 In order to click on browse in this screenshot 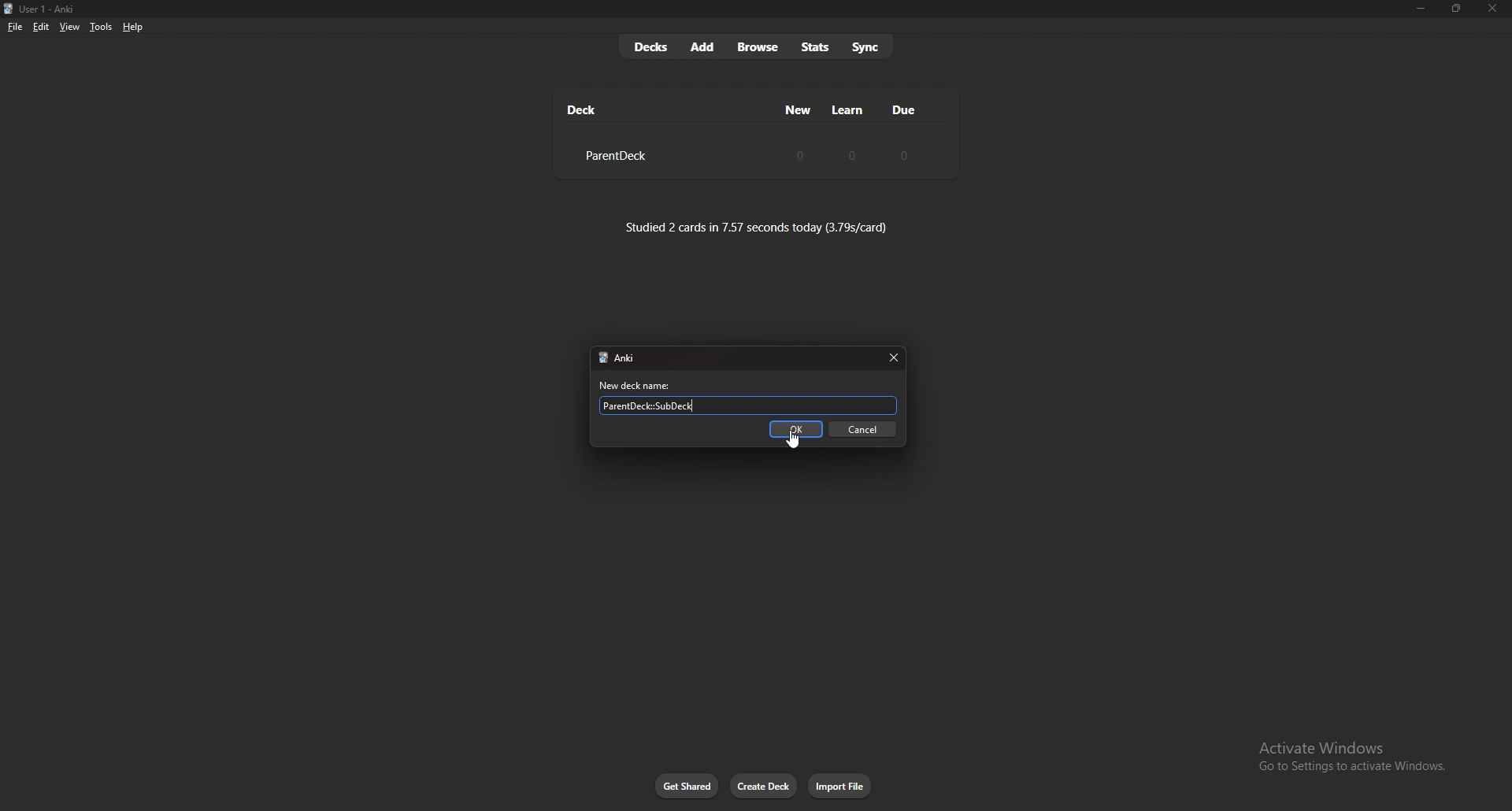, I will do `click(760, 48)`.